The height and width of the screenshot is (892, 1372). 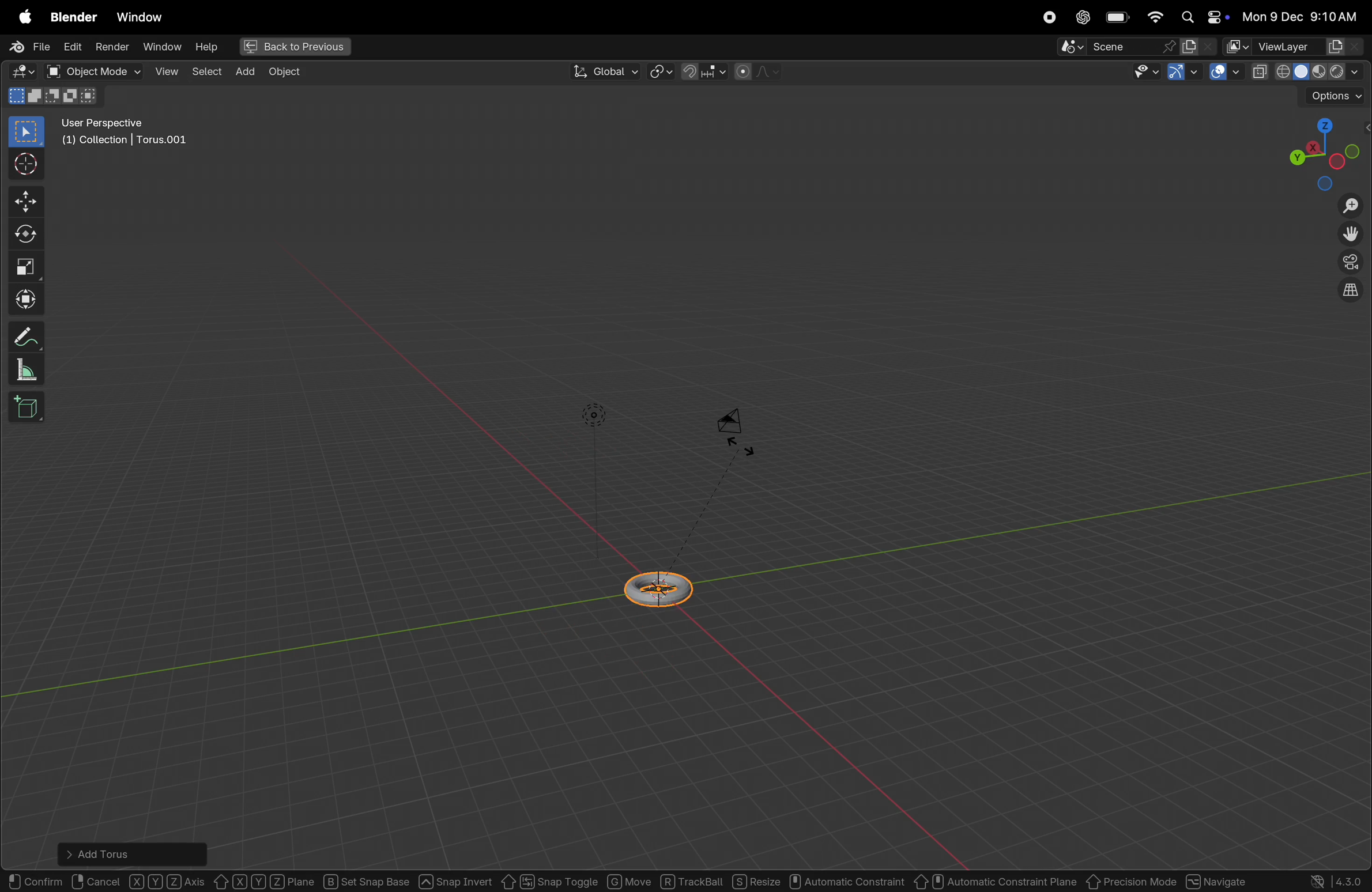 I want to click on record, so click(x=1046, y=17).